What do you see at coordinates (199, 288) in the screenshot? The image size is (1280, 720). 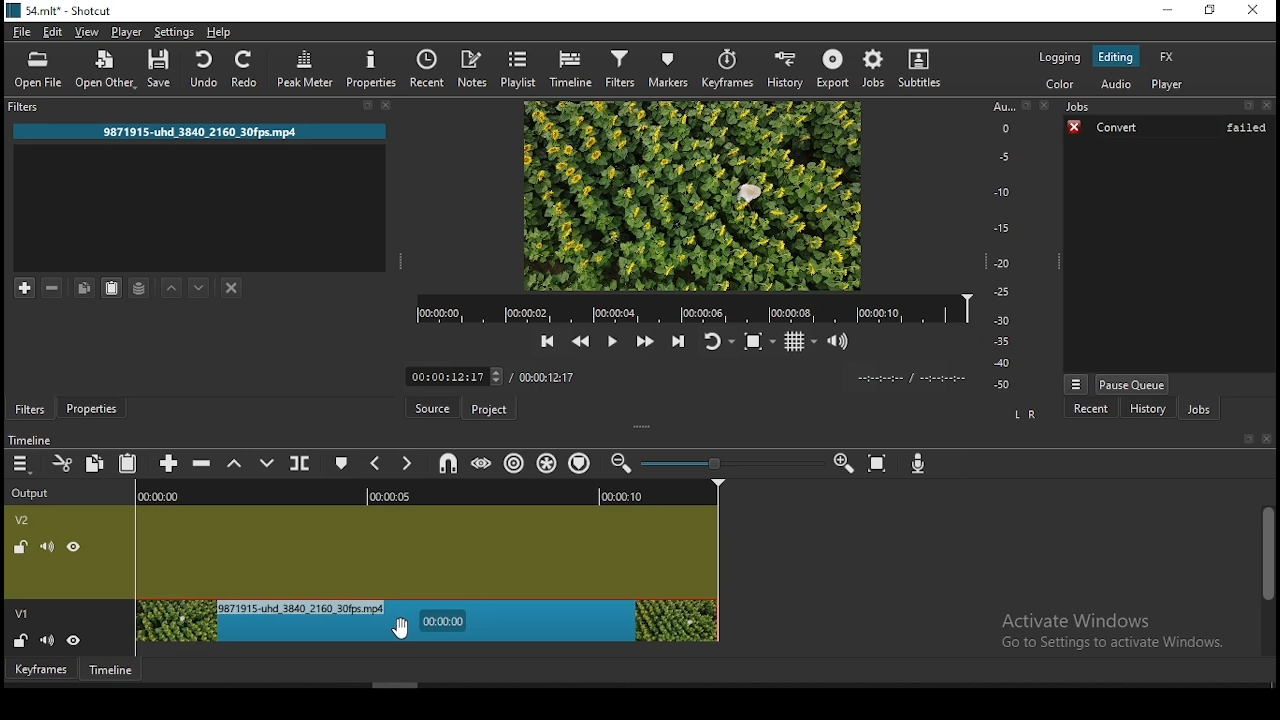 I see `move filter down` at bounding box center [199, 288].